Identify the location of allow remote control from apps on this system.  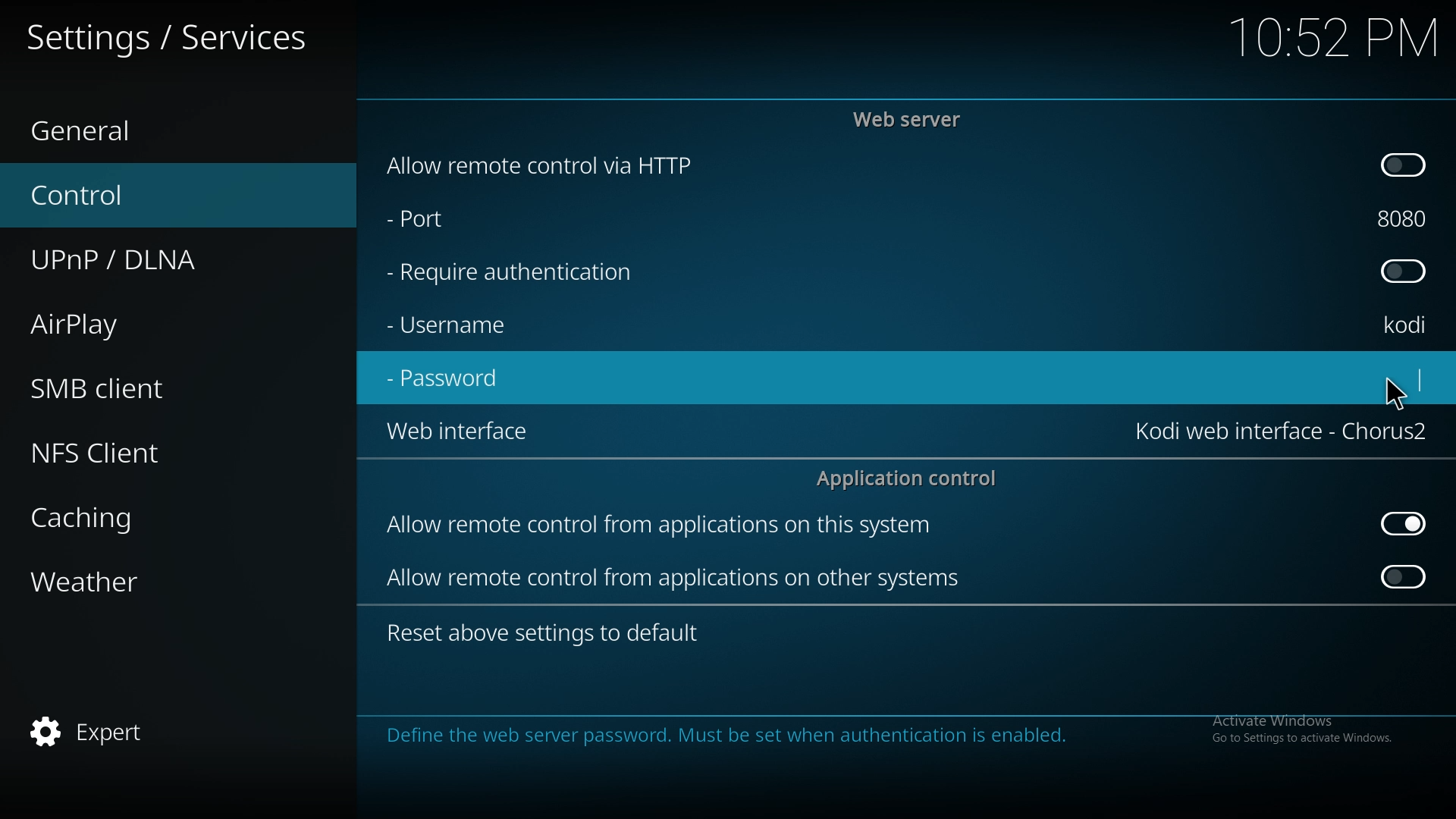
(661, 528).